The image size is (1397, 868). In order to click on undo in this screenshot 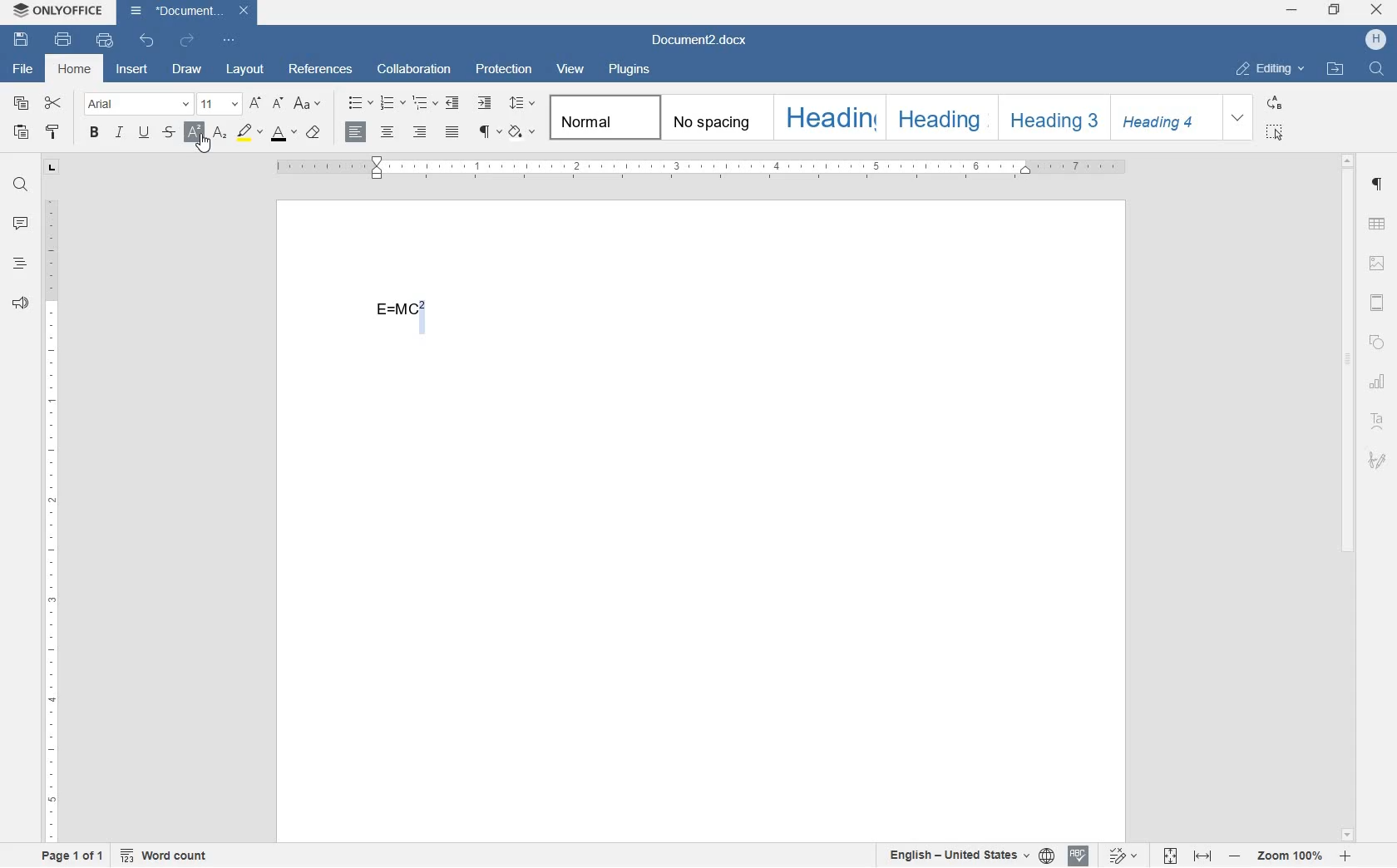, I will do `click(148, 45)`.